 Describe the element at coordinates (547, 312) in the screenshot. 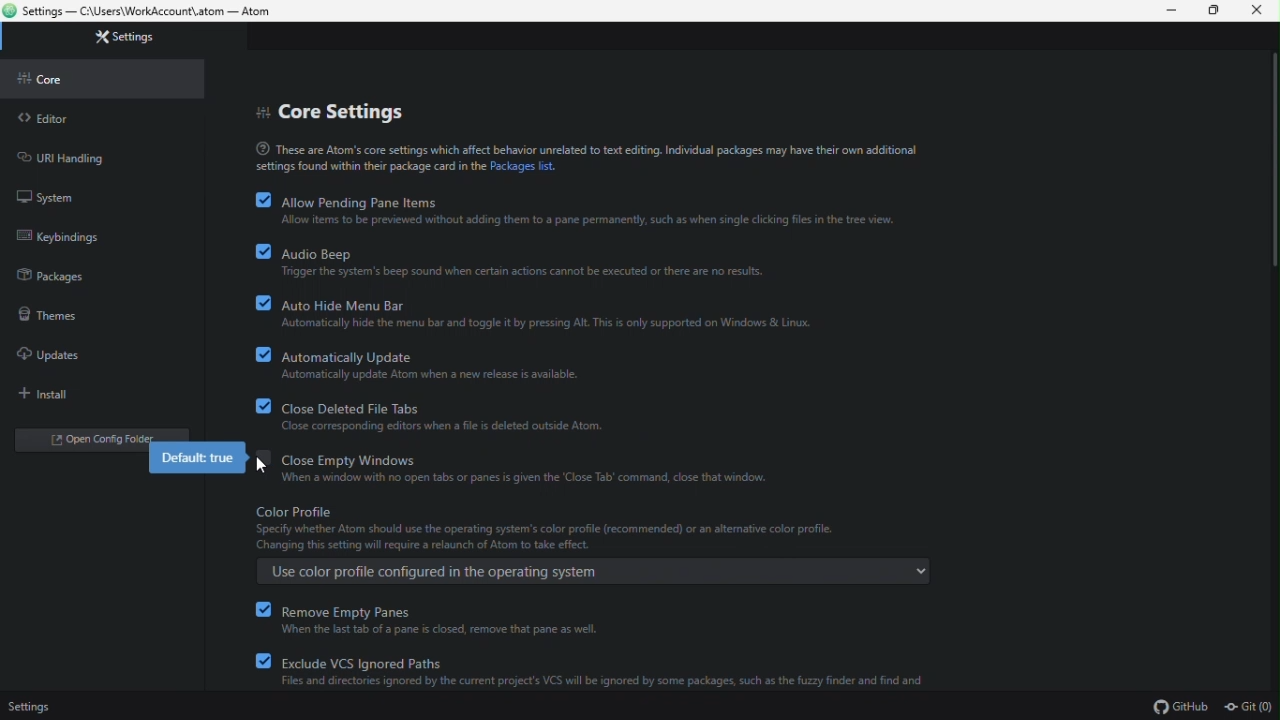

I see `auto hide menu bar` at that location.